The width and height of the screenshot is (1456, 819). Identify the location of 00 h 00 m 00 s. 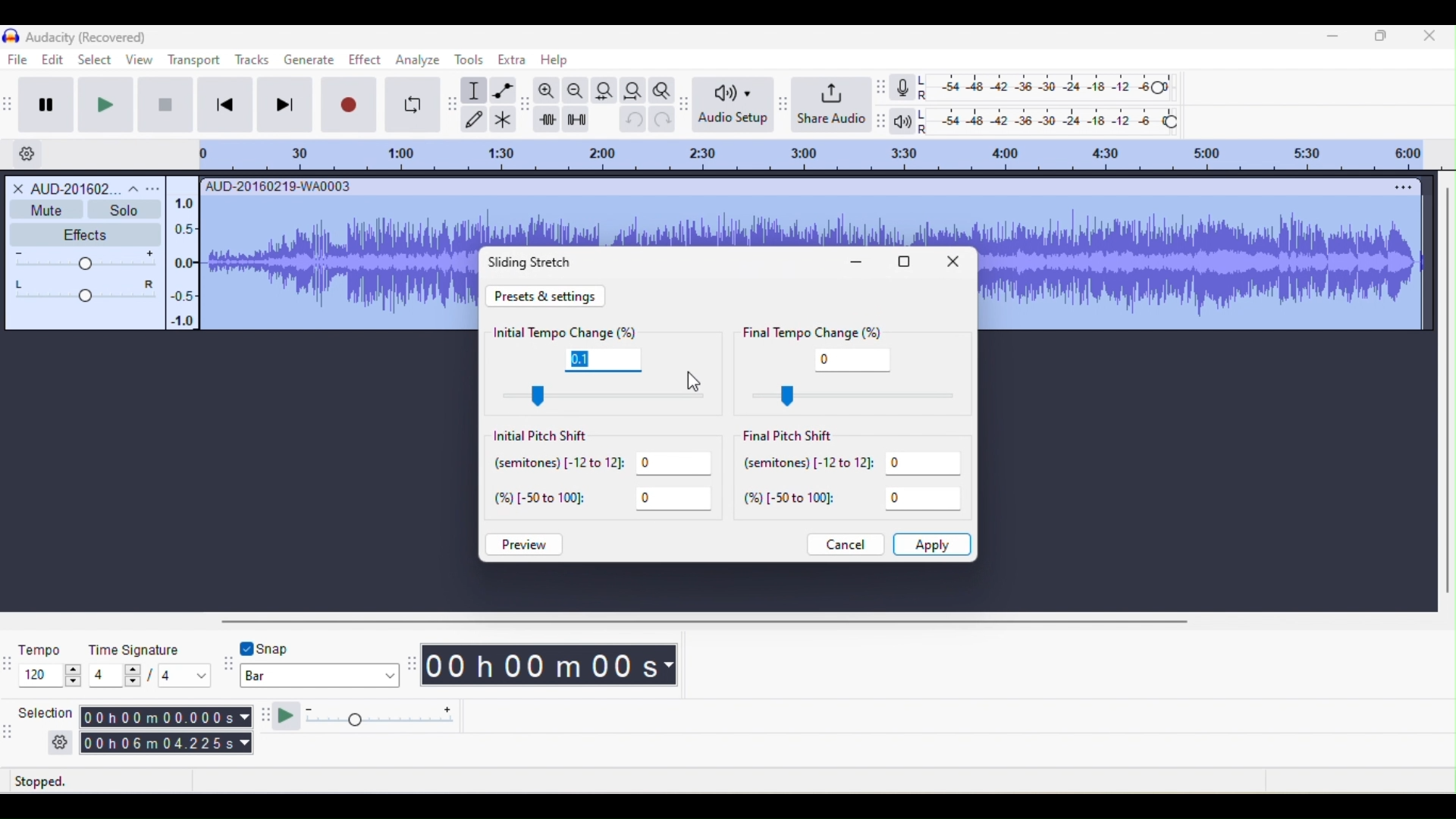
(551, 667).